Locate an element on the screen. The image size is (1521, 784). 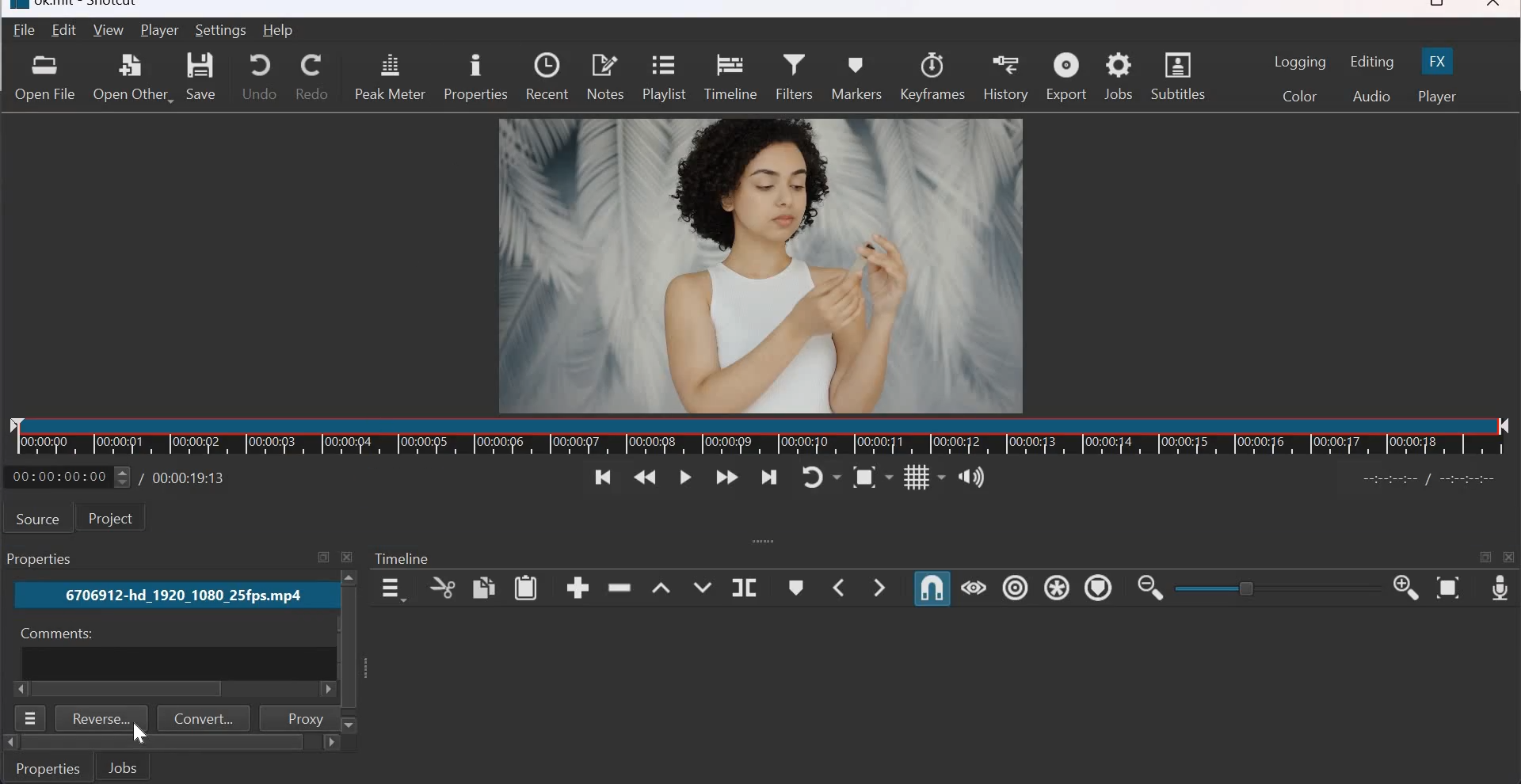
Toggle grid display on the player is located at coordinates (925, 477).